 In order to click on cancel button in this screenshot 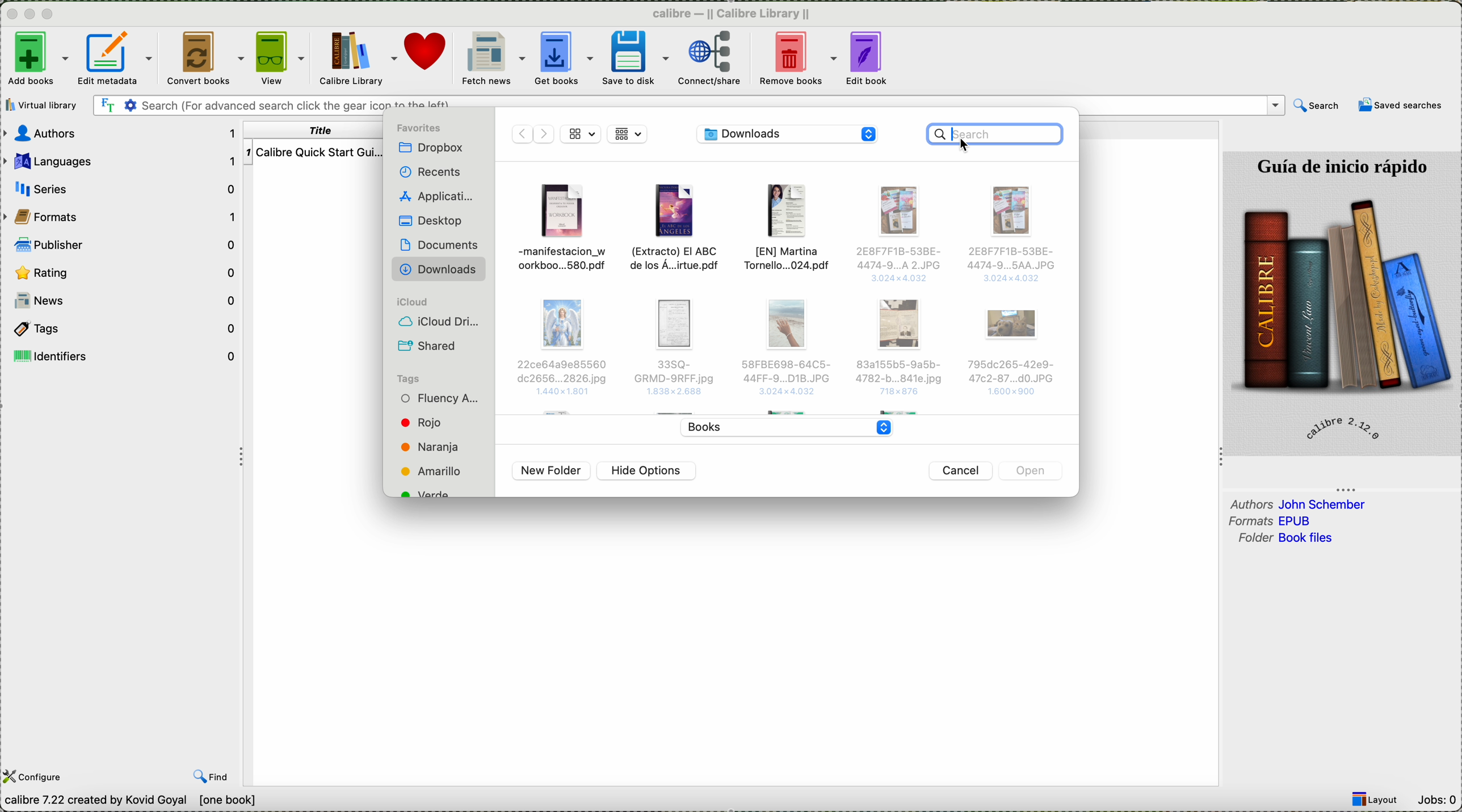, I will do `click(963, 471)`.